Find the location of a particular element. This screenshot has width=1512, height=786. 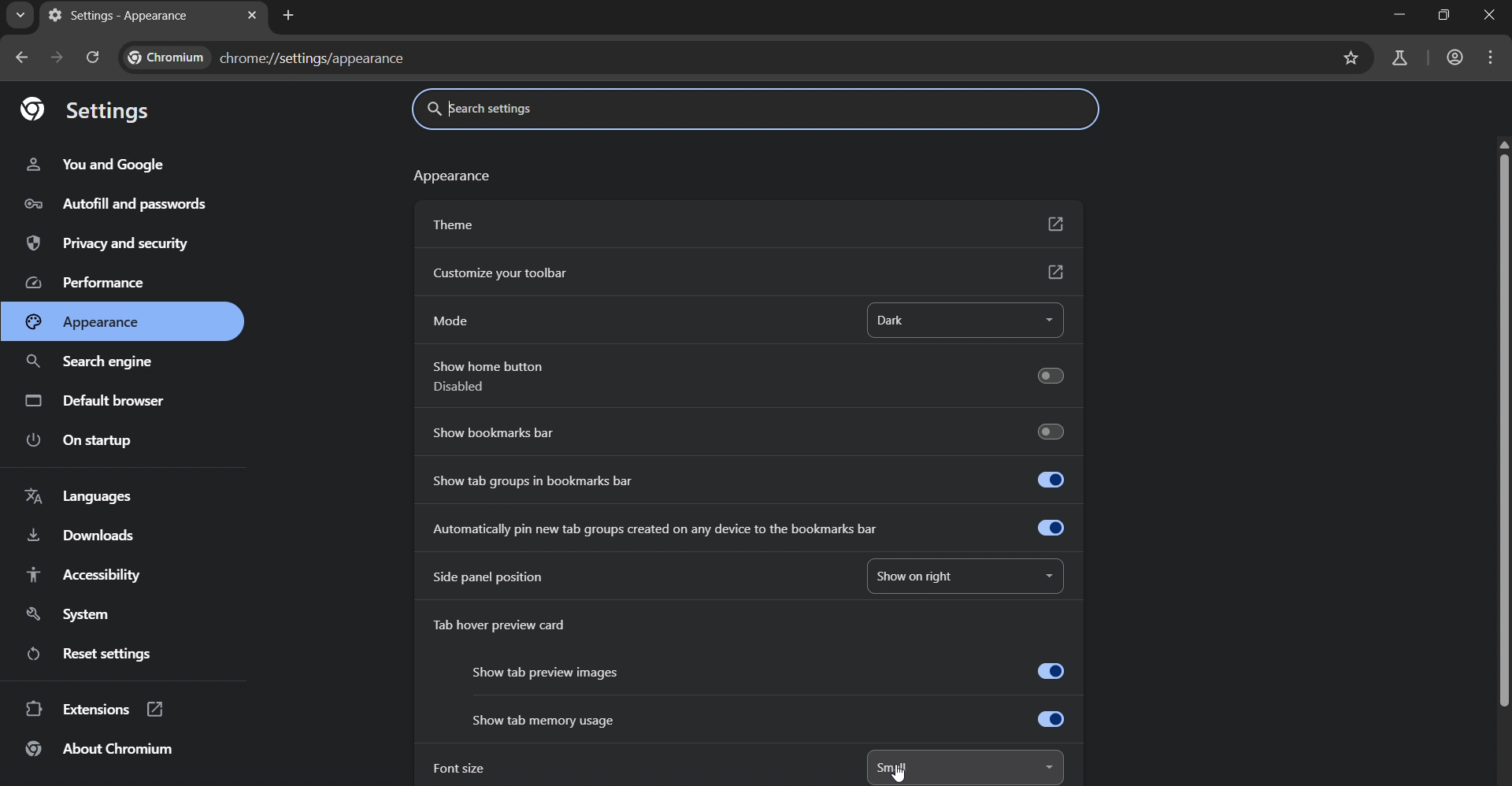

new tab is located at coordinates (289, 17).